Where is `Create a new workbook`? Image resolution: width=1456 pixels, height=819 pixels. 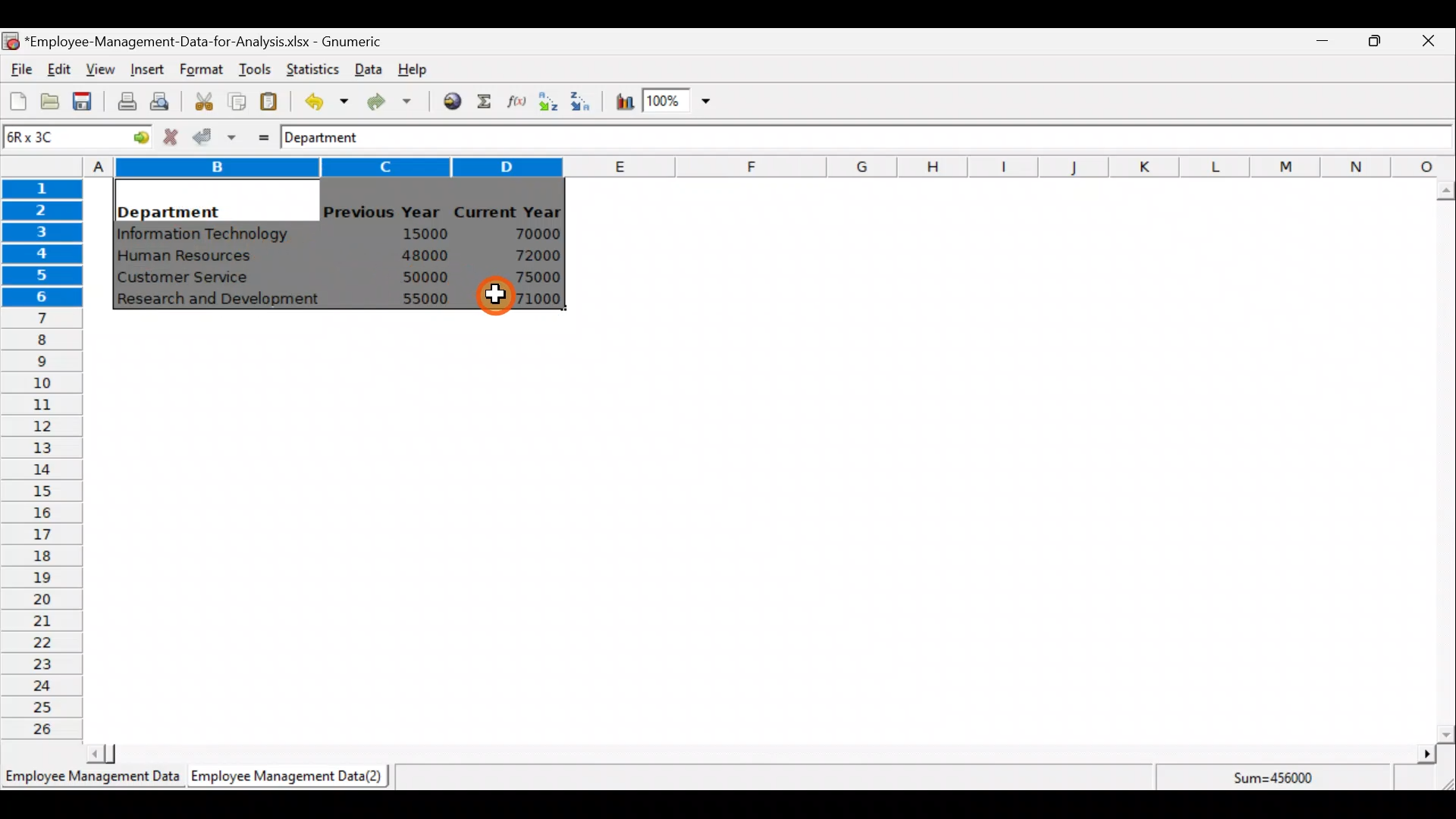 Create a new workbook is located at coordinates (18, 101).